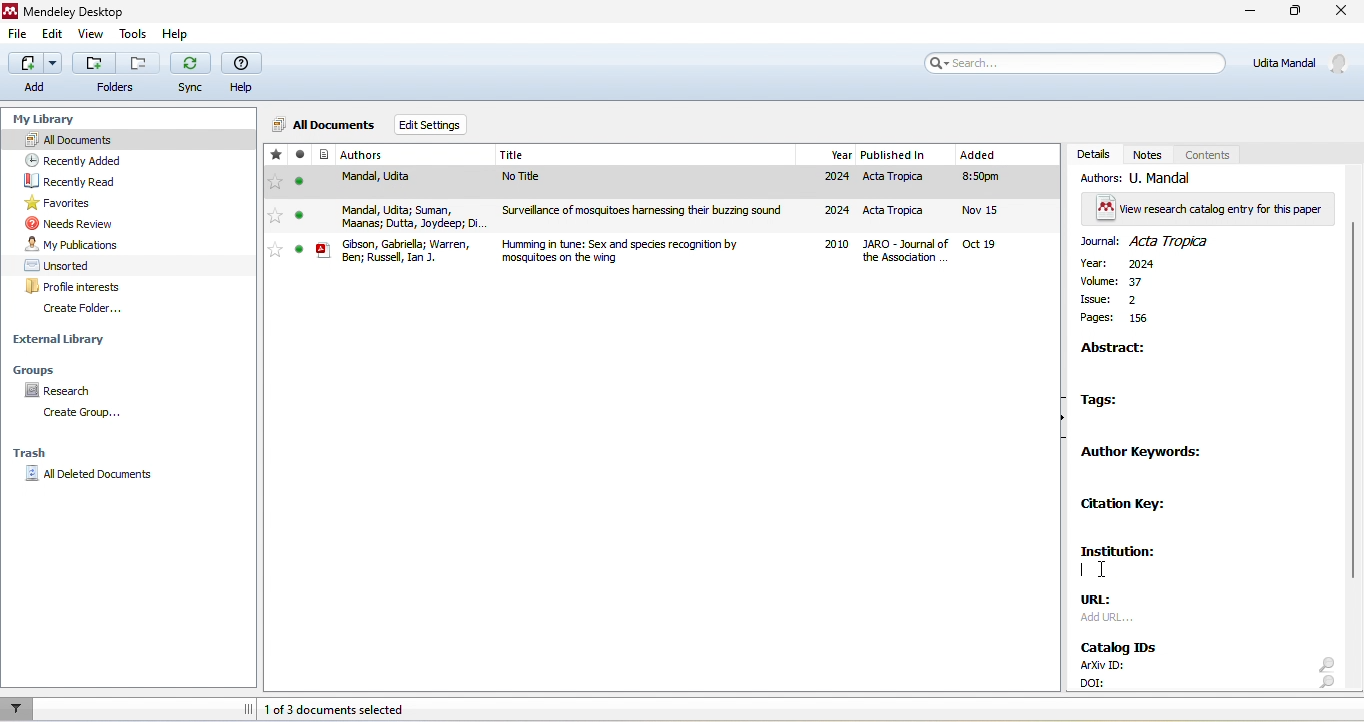 The height and width of the screenshot is (722, 1364). What do you see at coordinates (275, 183) in the screenshot?
I see `favorites toggle` at bounding box center [275, 183].